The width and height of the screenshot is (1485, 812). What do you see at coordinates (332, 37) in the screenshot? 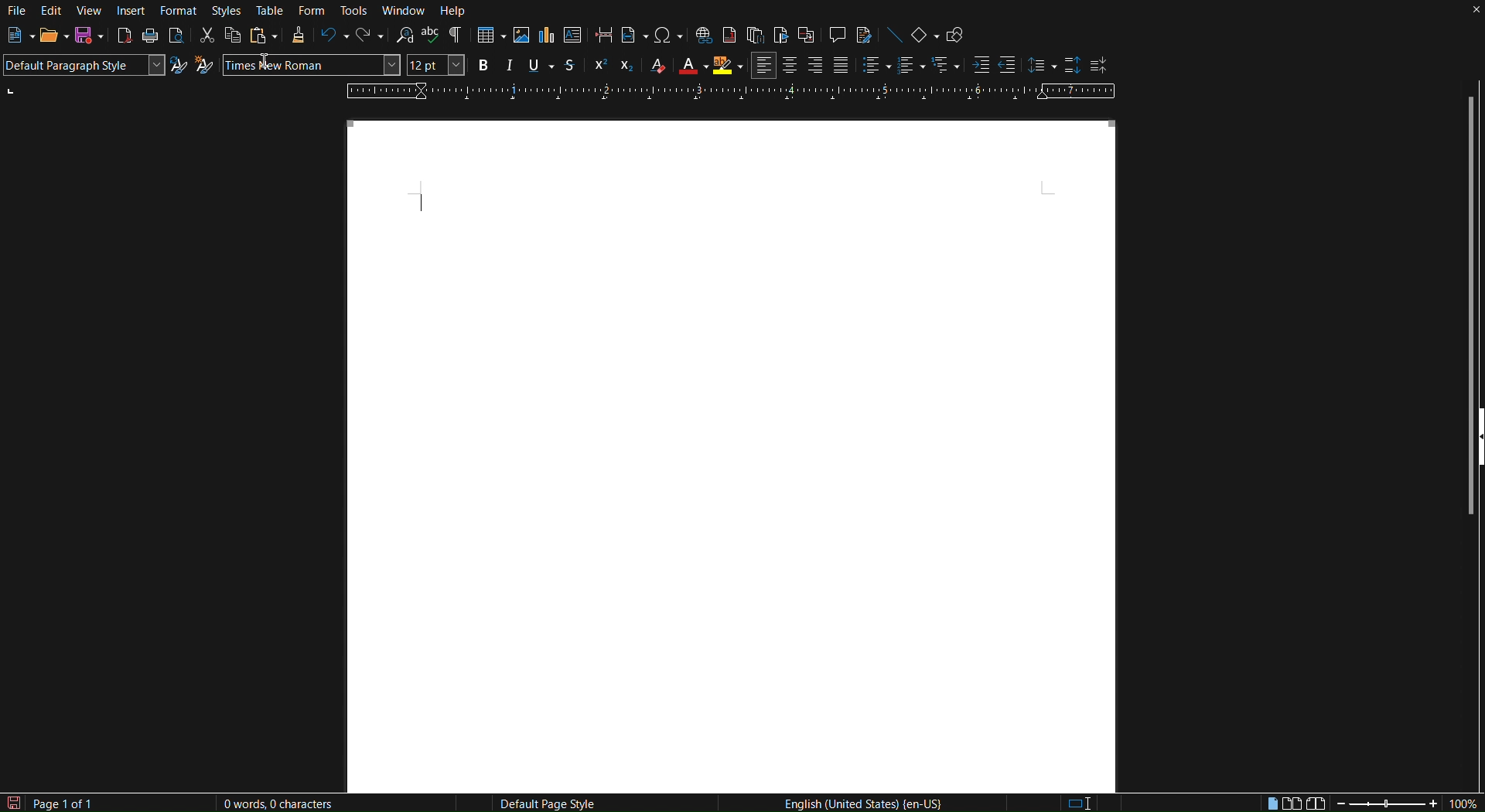
I see `Undo` at bounding box center [332, 37].